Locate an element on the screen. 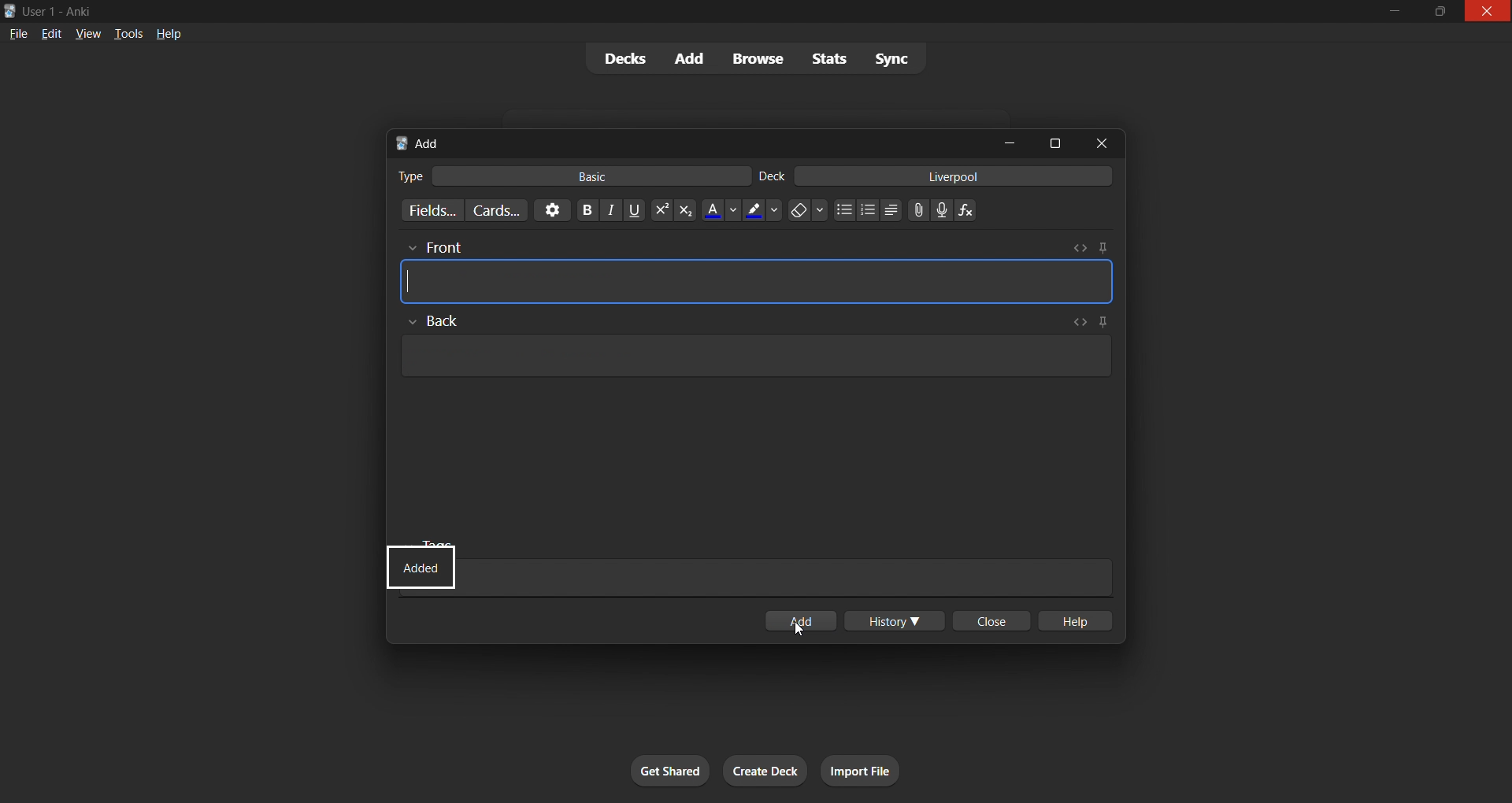  options is located at coordinates (548, 210).